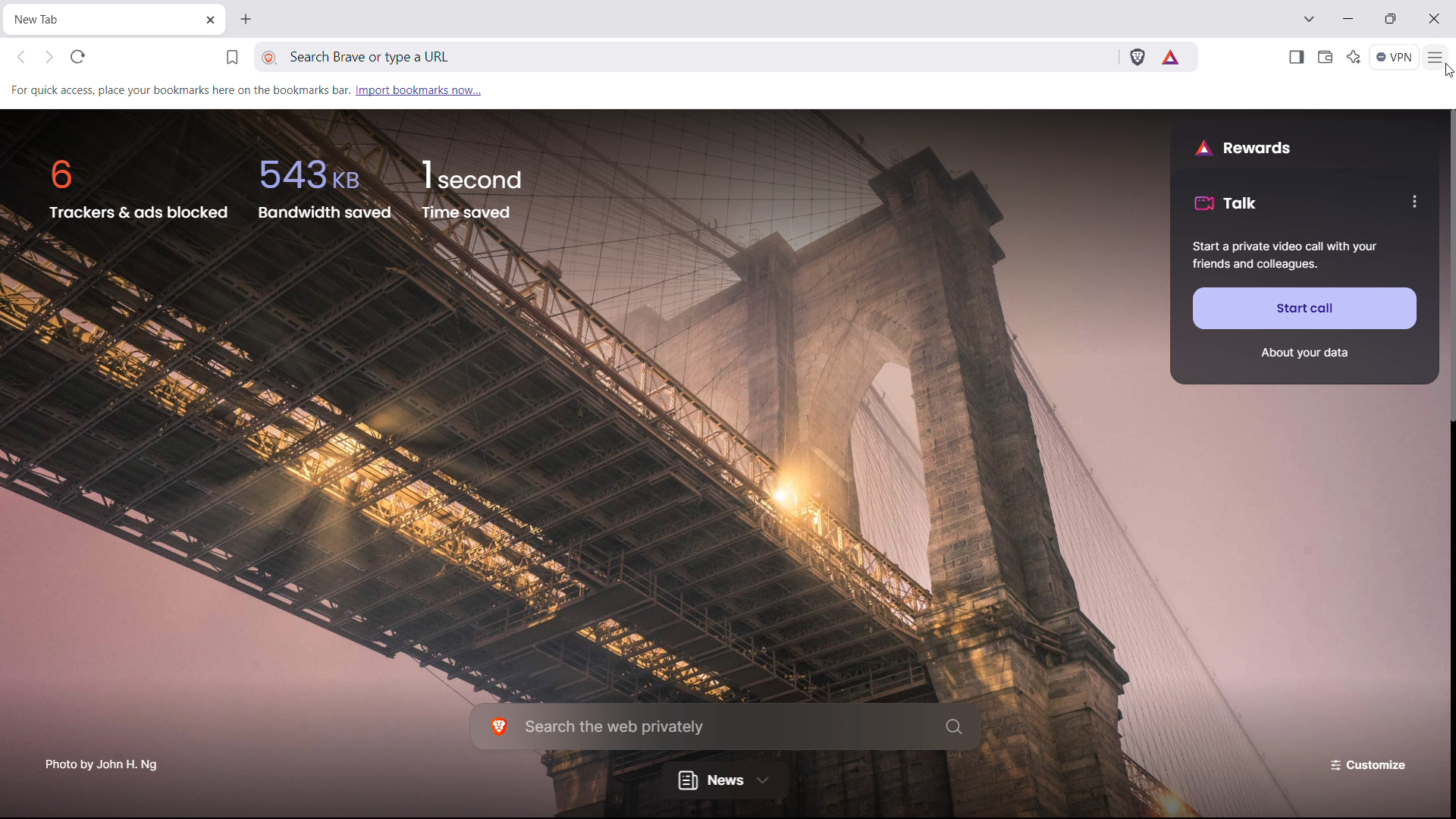 This screenshot has height=819, width=1456. Describe the element at coordinates (325, 215) in the screenshot. I see `bandwidth saved` at that location.